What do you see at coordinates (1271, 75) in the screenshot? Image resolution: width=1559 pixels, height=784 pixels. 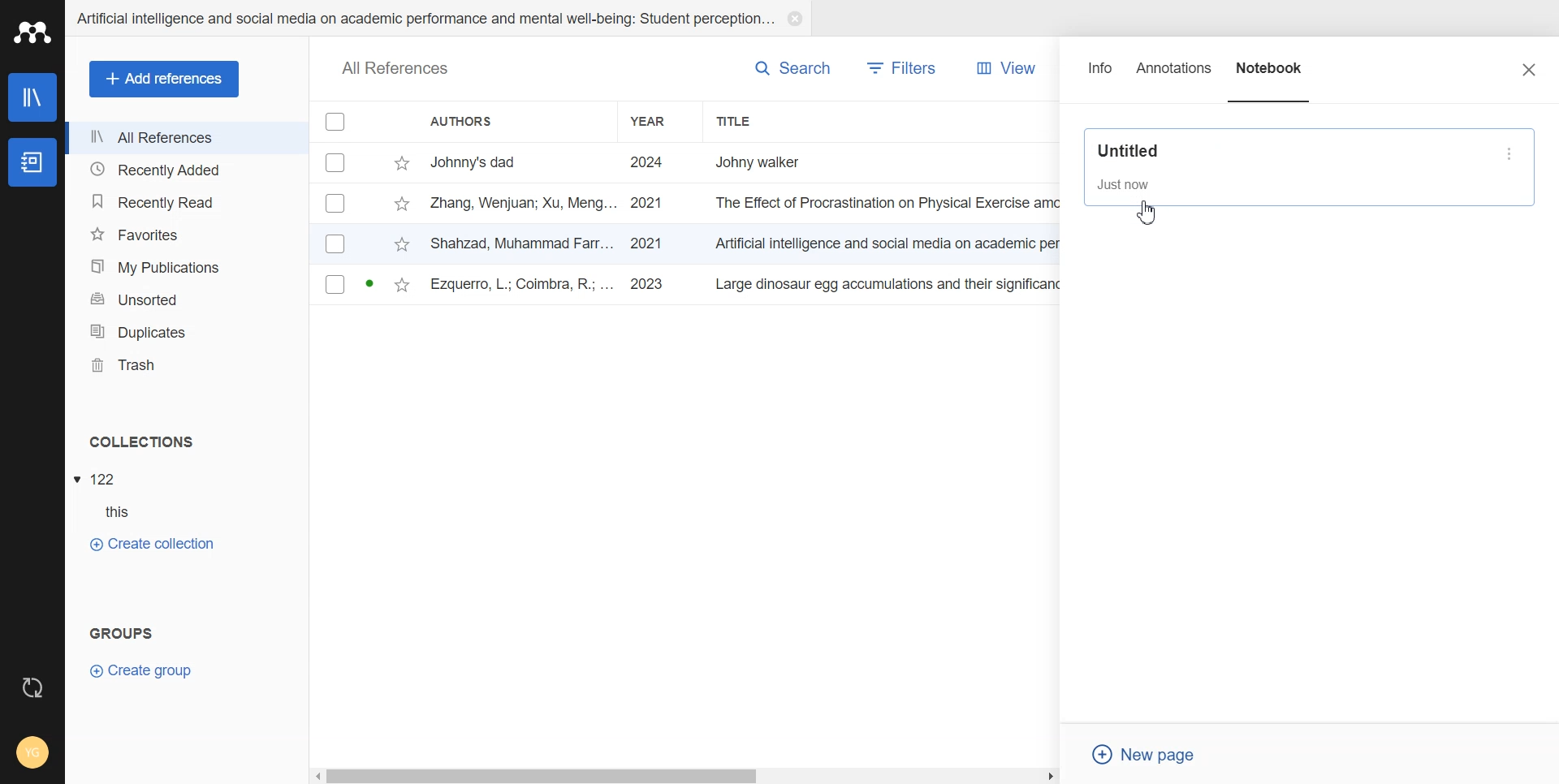 I see `Notebook` at bounding box center [1271, 75].